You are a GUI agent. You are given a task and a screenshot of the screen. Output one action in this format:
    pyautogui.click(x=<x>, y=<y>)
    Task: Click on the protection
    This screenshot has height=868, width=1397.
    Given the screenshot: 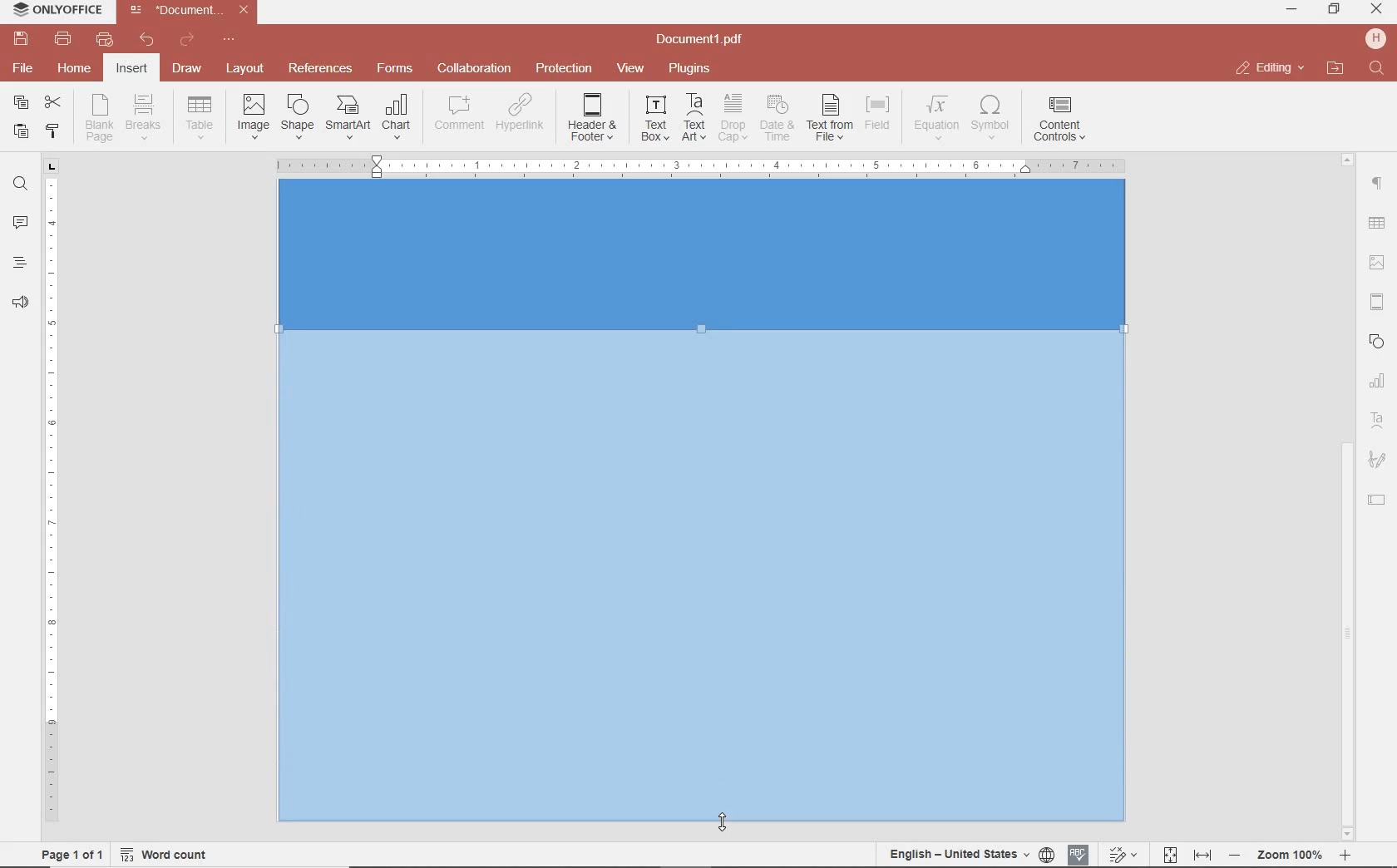 What is the action you would take?
    pyautogui.click(x=565, y=69)
    